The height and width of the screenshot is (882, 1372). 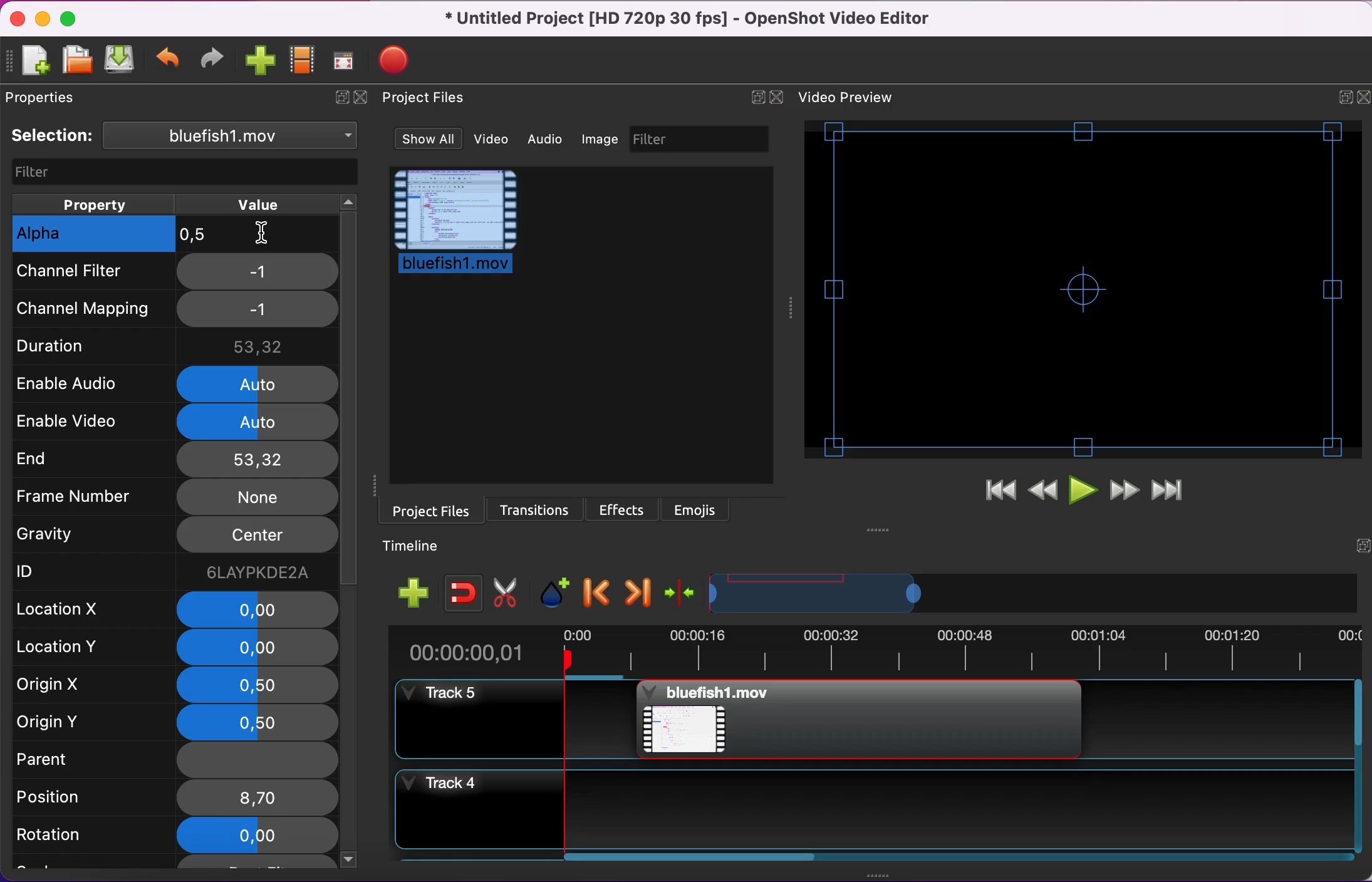 What do you see at coordinates (258, 608) in the screenshot?
I see `0` at bounding box center [258, 608].